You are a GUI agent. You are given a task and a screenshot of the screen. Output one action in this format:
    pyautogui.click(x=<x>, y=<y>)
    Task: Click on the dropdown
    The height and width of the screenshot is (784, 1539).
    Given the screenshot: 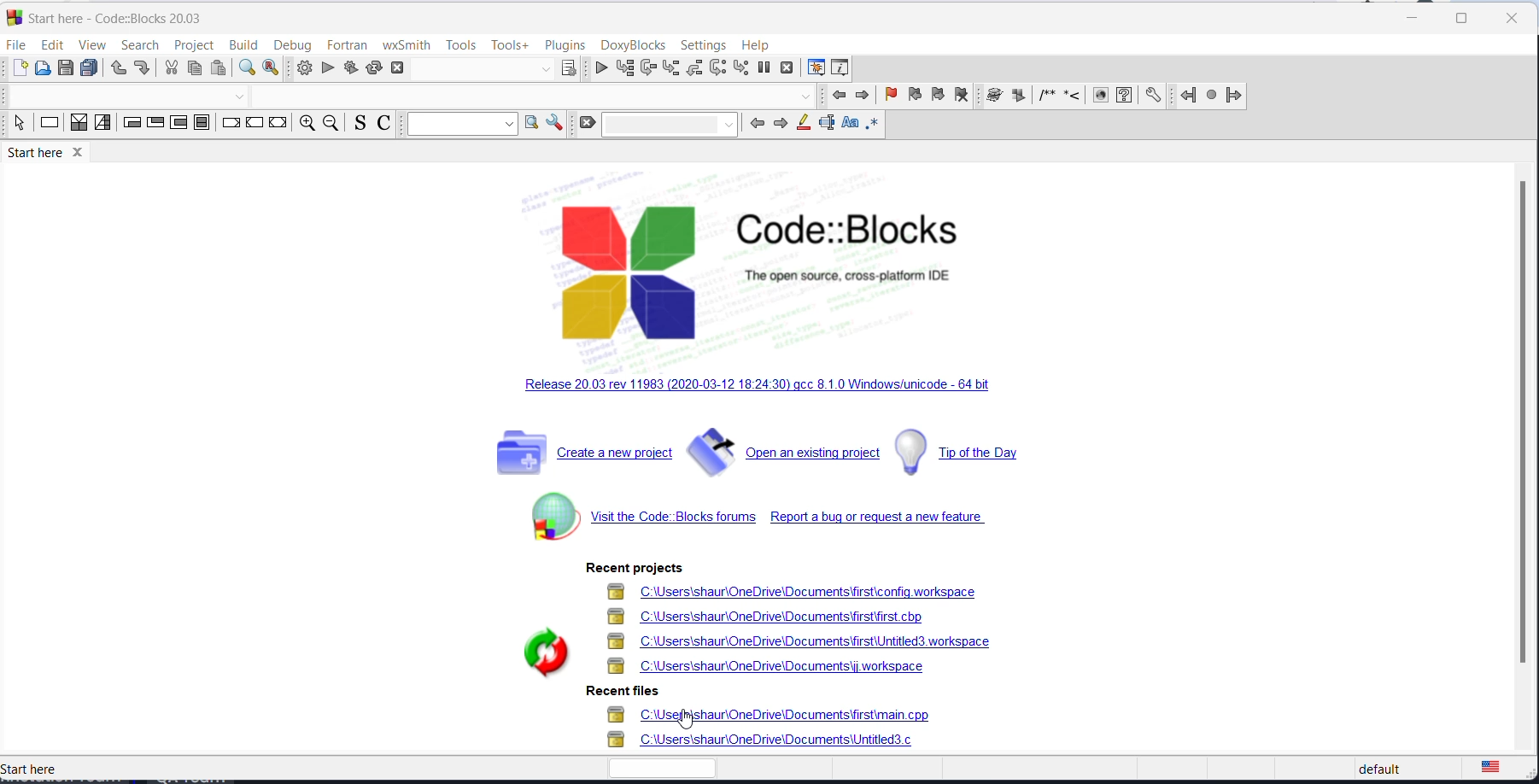 What is the action you would take?
    pyautogui.click(x=545, y=69)
    